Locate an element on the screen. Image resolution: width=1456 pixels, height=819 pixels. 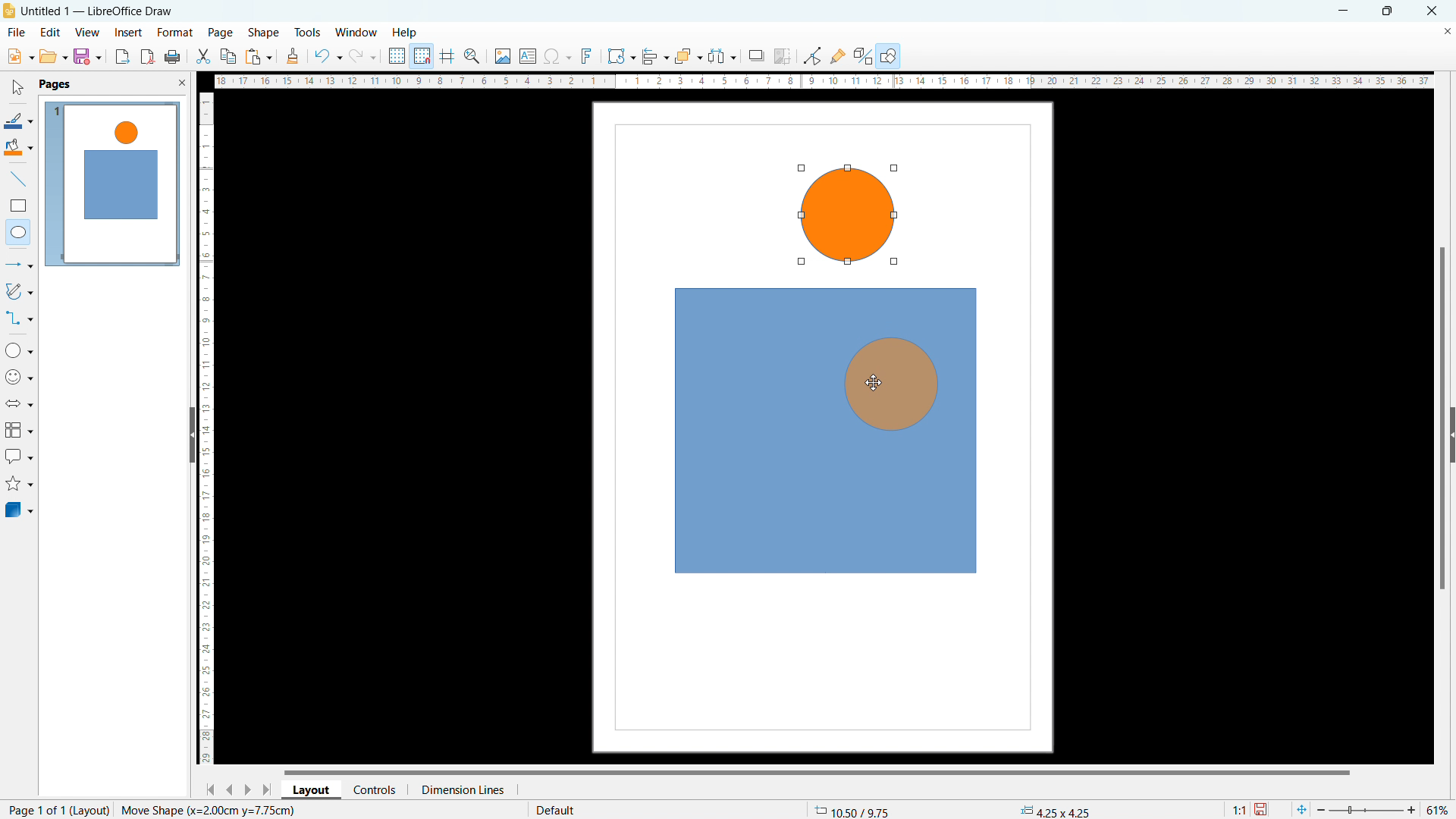
lines and arrows is located at coordinates (20, 266).